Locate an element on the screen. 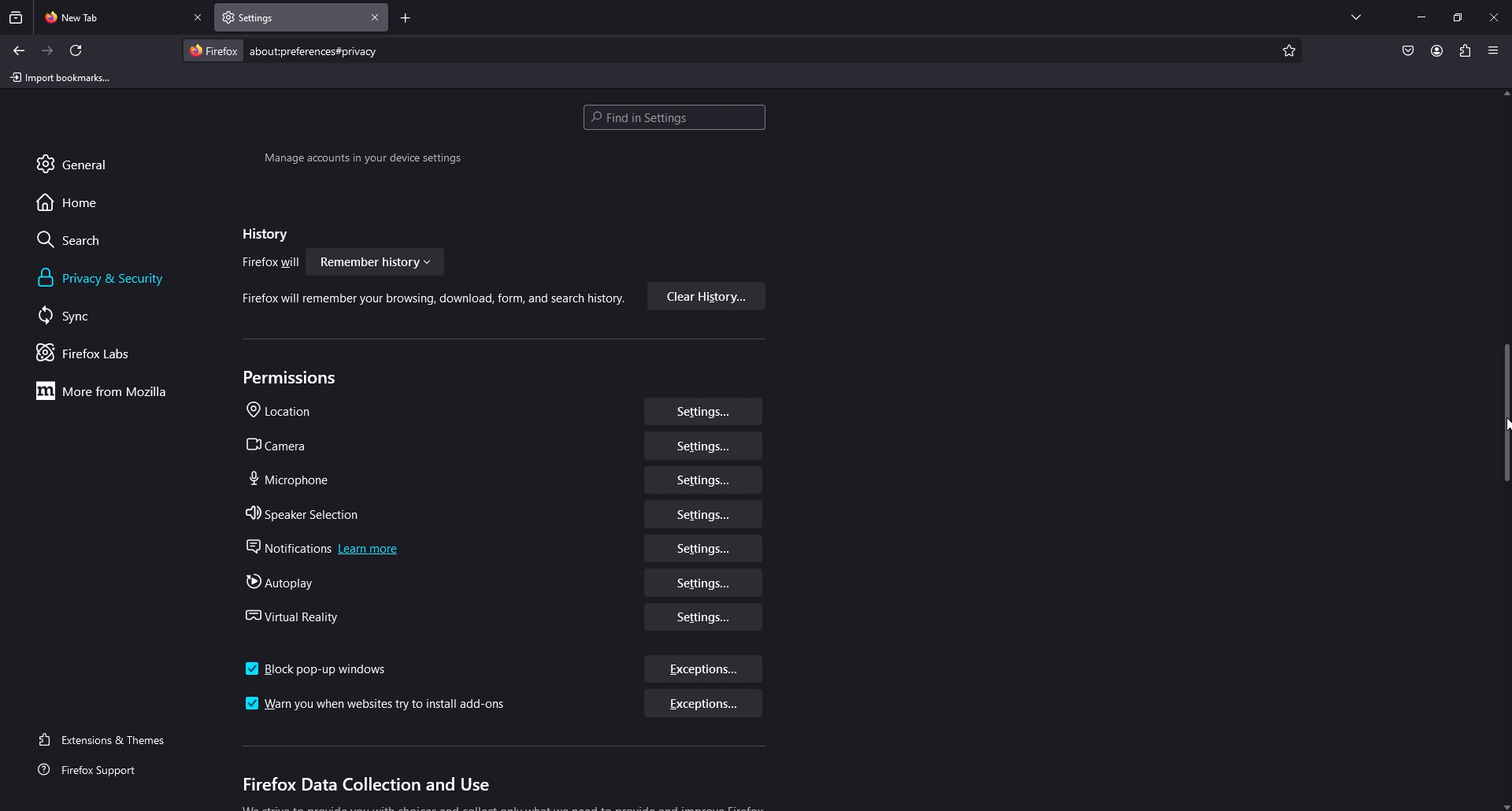 This screenshot has height=811, width=1512. minimize is located at coordinates (1421, 16).